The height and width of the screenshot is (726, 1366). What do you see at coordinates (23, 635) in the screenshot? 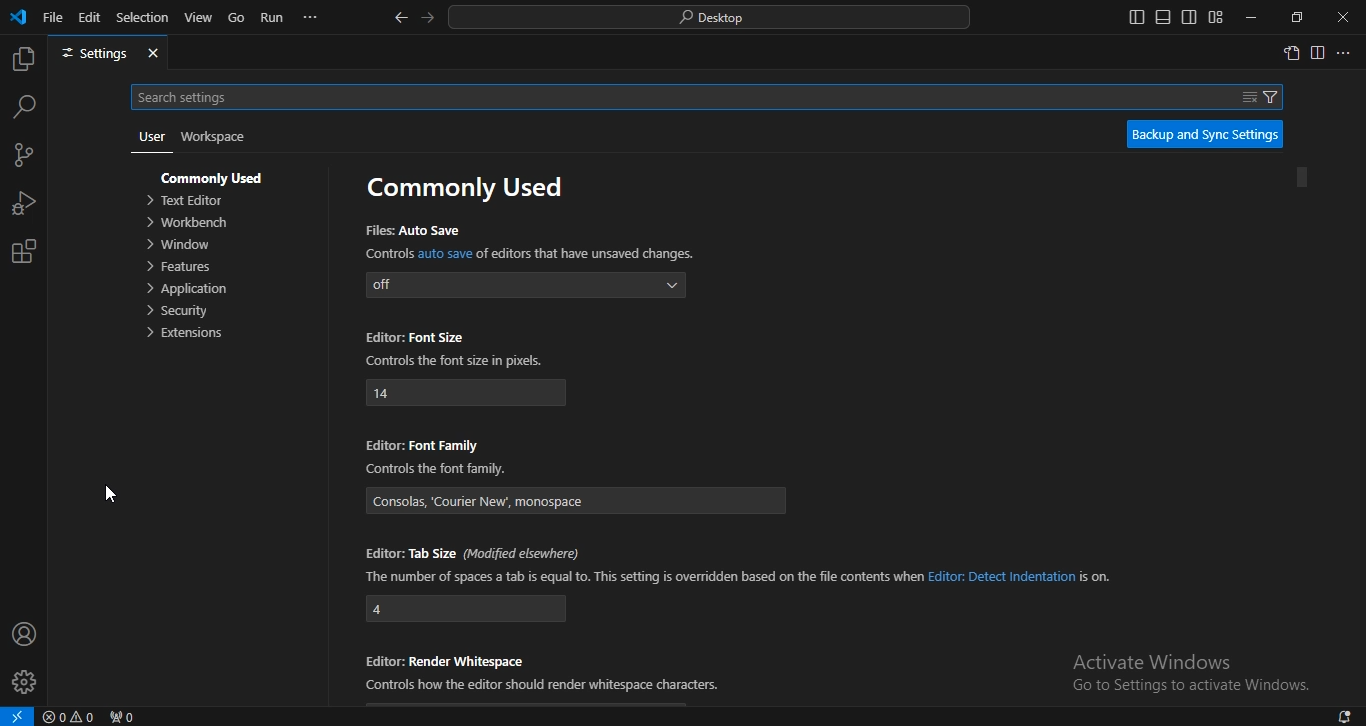
I see `account` at bounding box center [23, 635].